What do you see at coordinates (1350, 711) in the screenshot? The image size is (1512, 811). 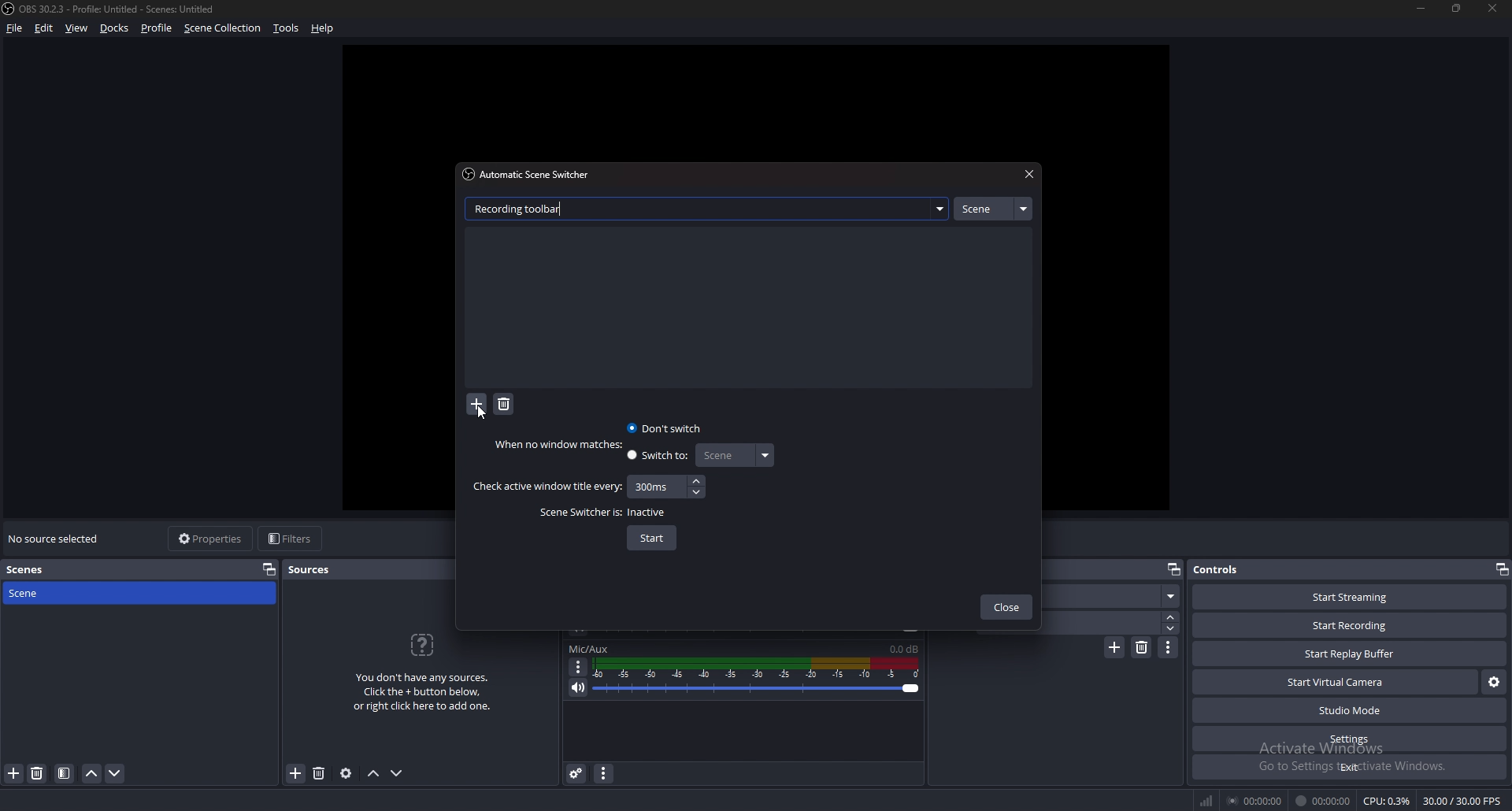 I see `studio mode` at bounding box center [1350, 711].